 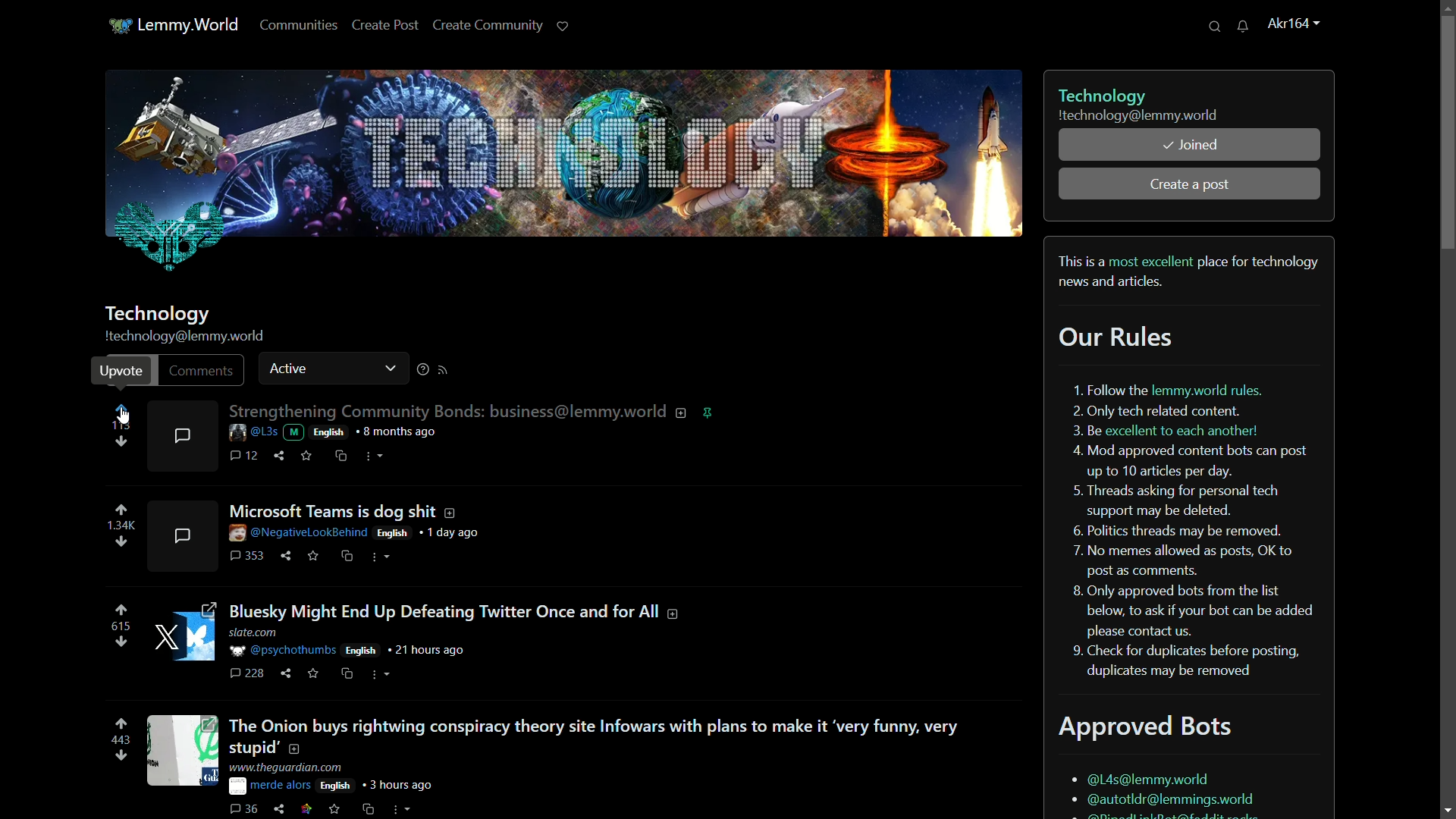 I want to click on cs, so click(x=347, y=675).